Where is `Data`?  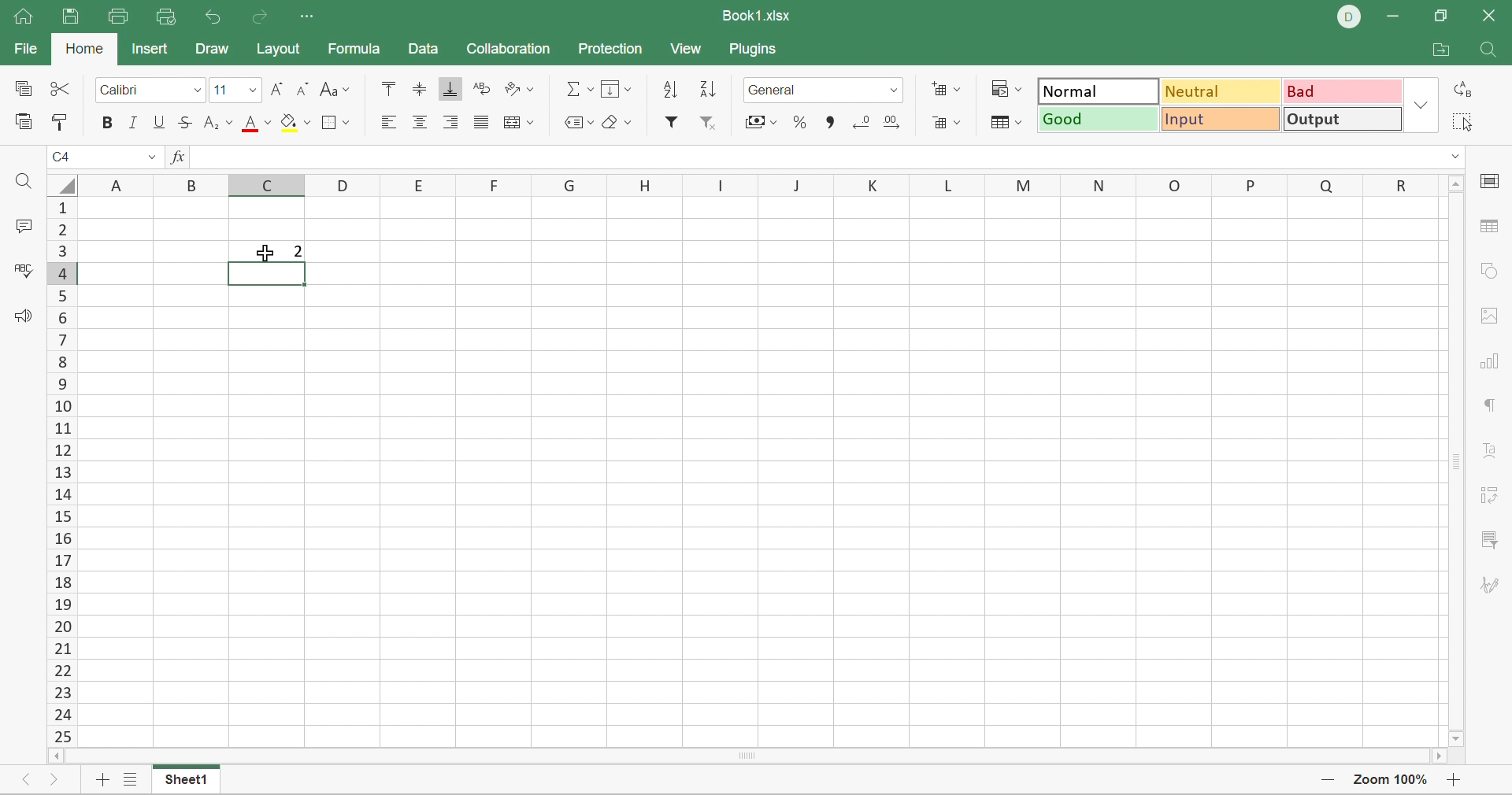 Data is located at coordinates (426, 51).